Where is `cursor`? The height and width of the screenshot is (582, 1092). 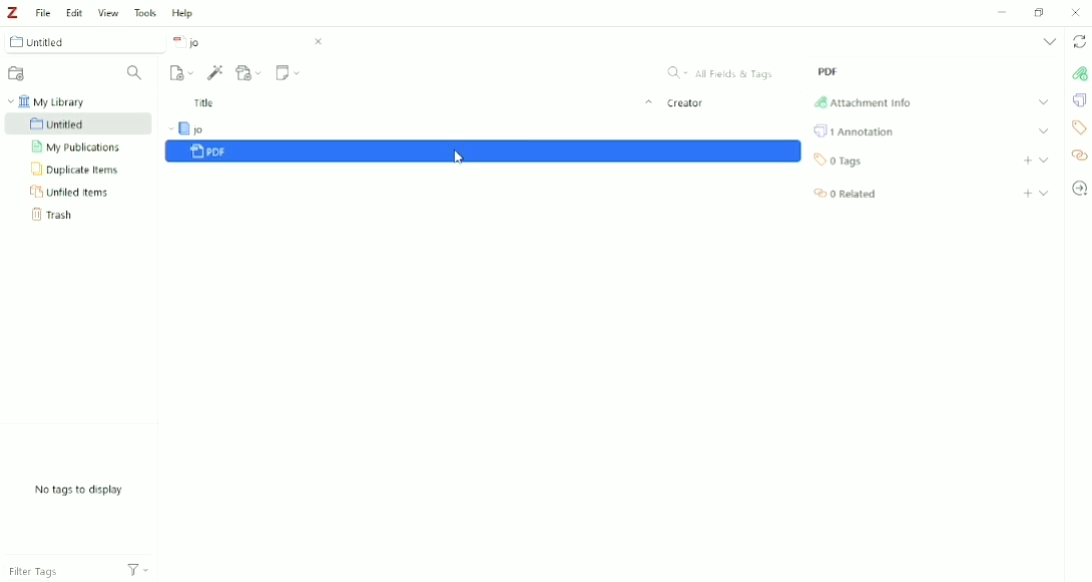
cursor is located at coordinates (456, 158).